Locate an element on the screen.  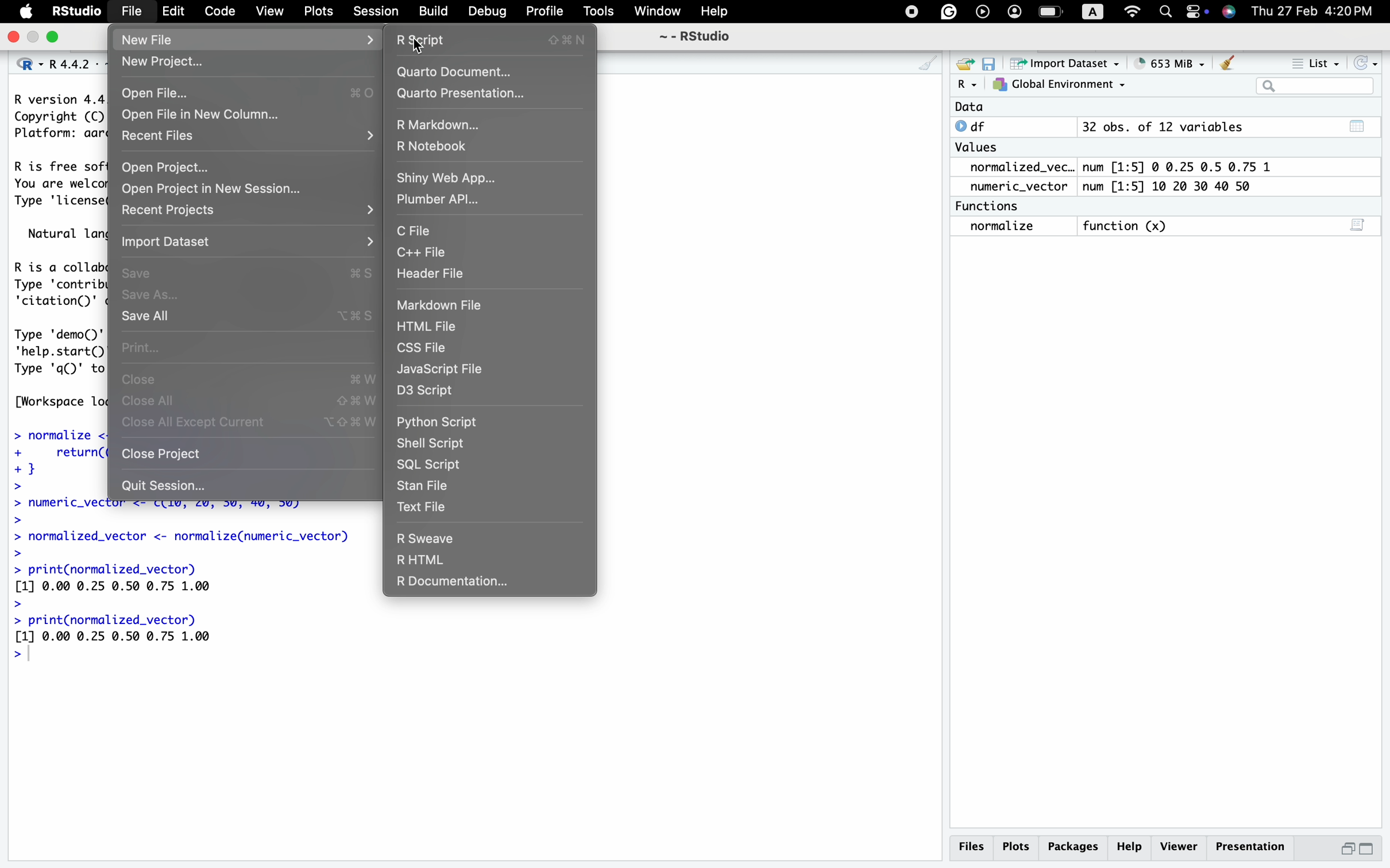
Open is located at coordinates (963, 63).